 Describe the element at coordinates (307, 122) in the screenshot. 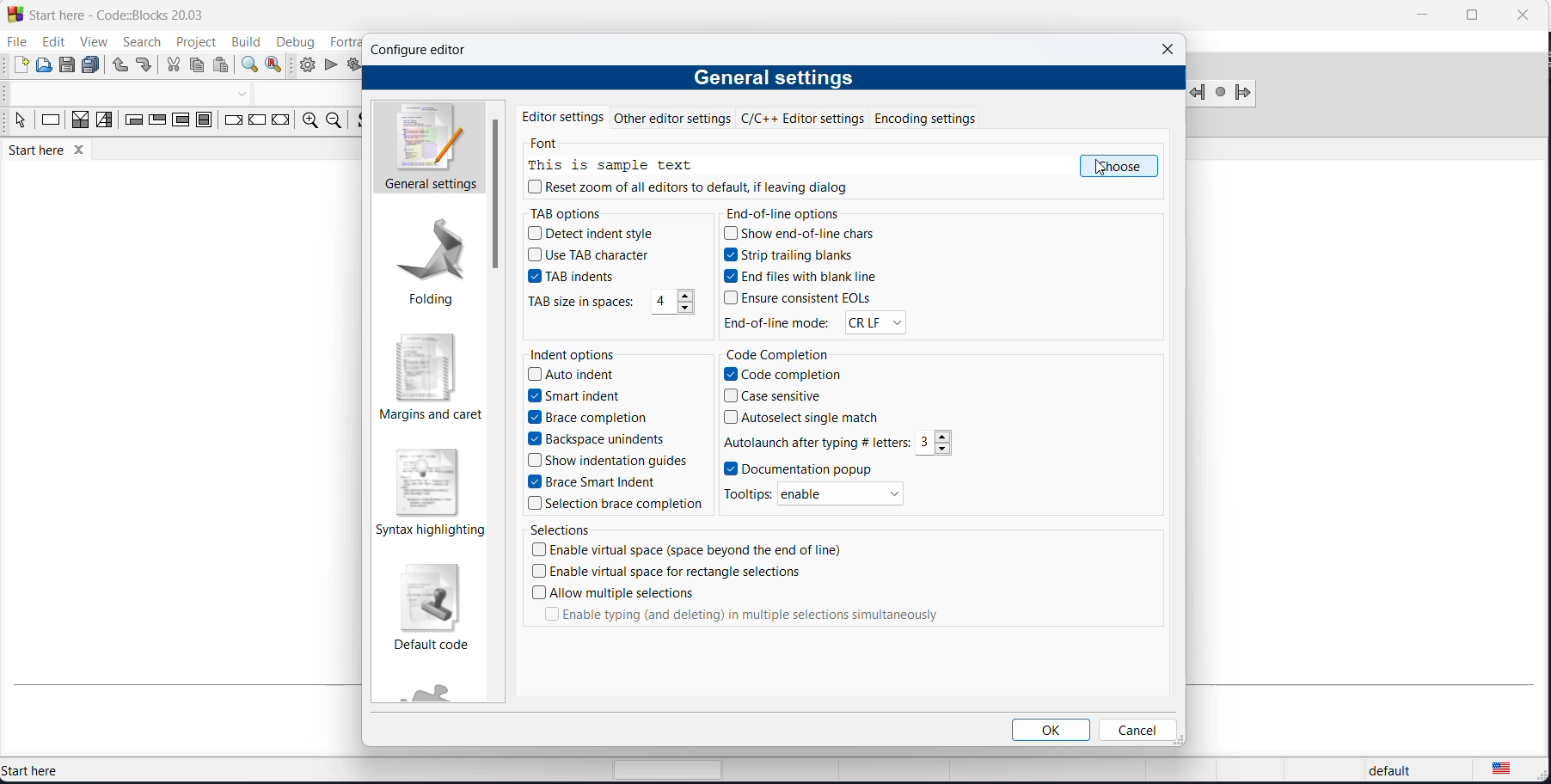

I see `zoom in` at that location.